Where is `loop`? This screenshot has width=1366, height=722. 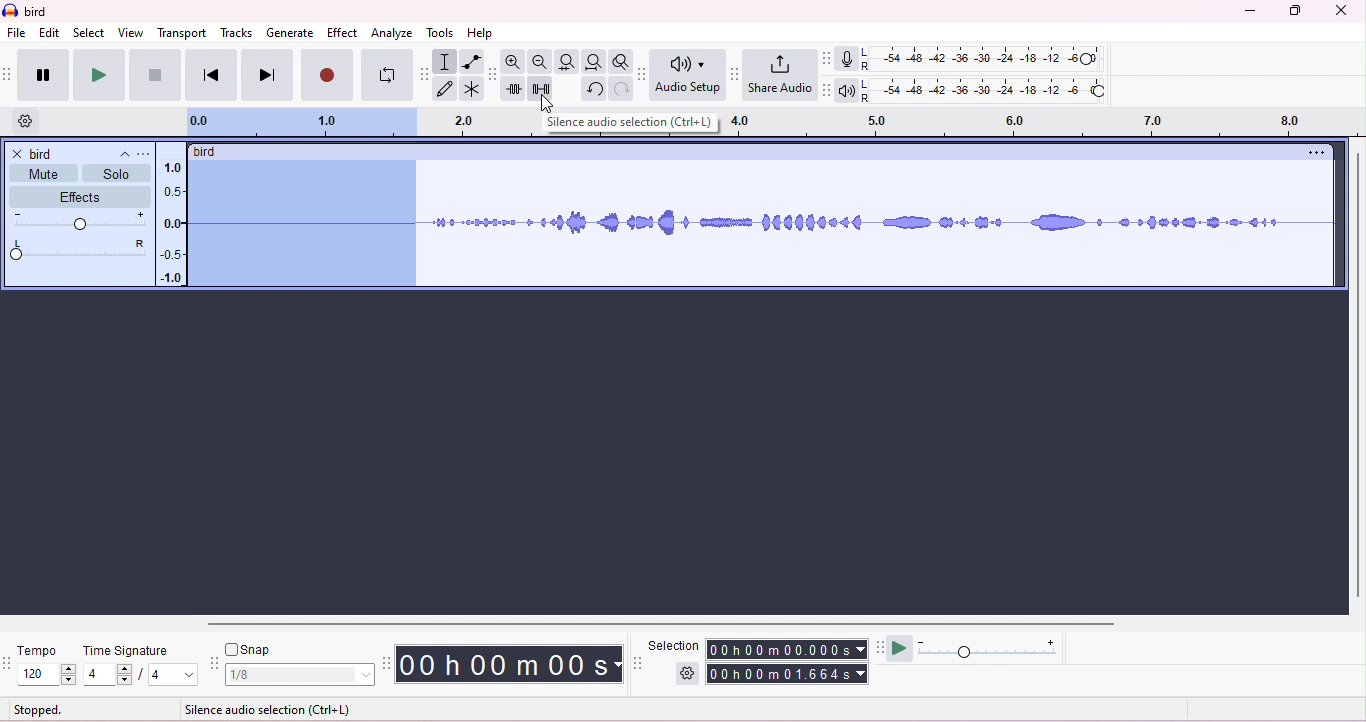
loop is located at coordinates (387, 75).